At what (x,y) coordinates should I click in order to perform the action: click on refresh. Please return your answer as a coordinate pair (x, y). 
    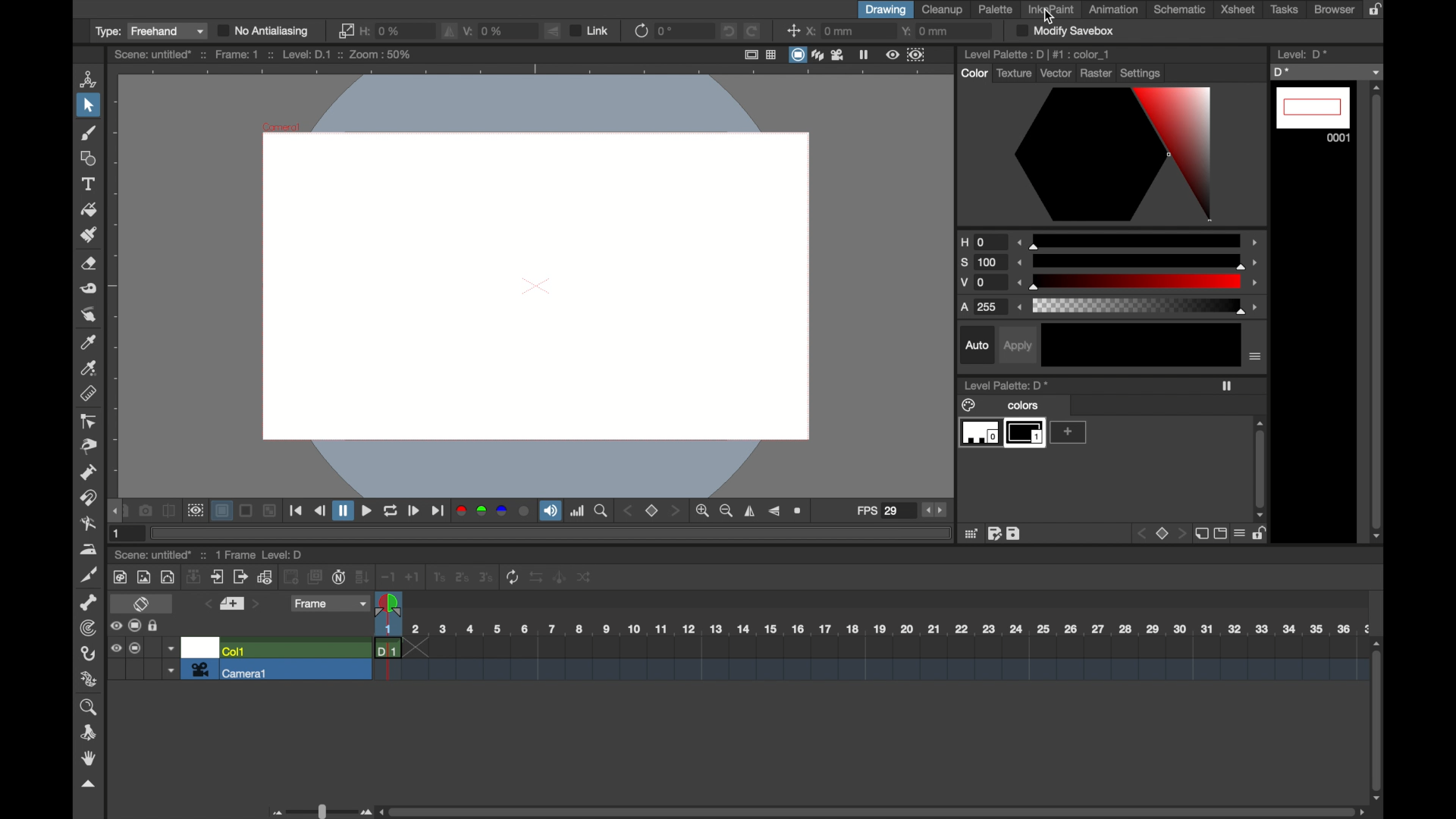
    Looking at the image, I should click on (512, 577).